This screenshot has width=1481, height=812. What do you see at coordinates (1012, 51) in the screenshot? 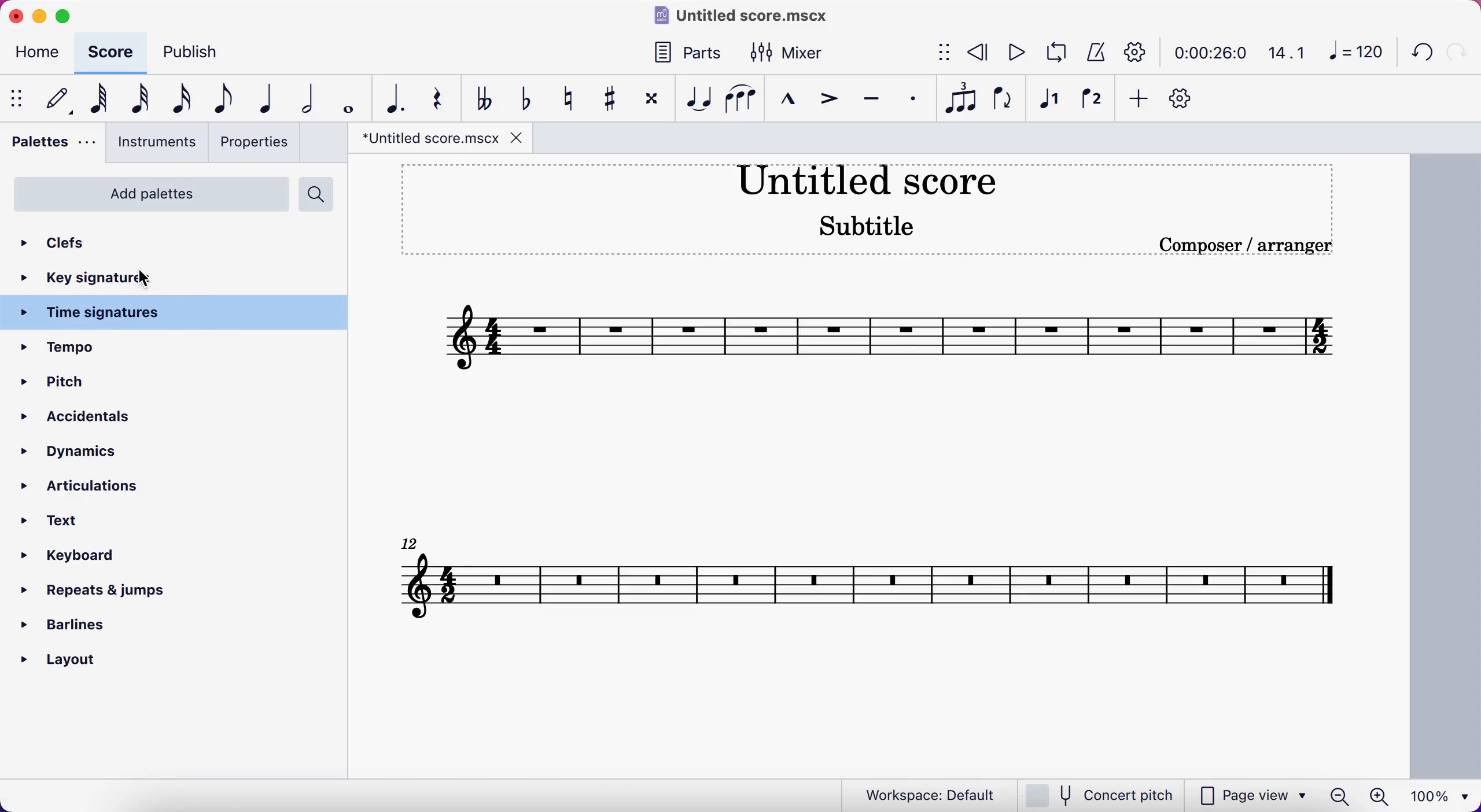
I see `play` at bounding box center [1012, 51].